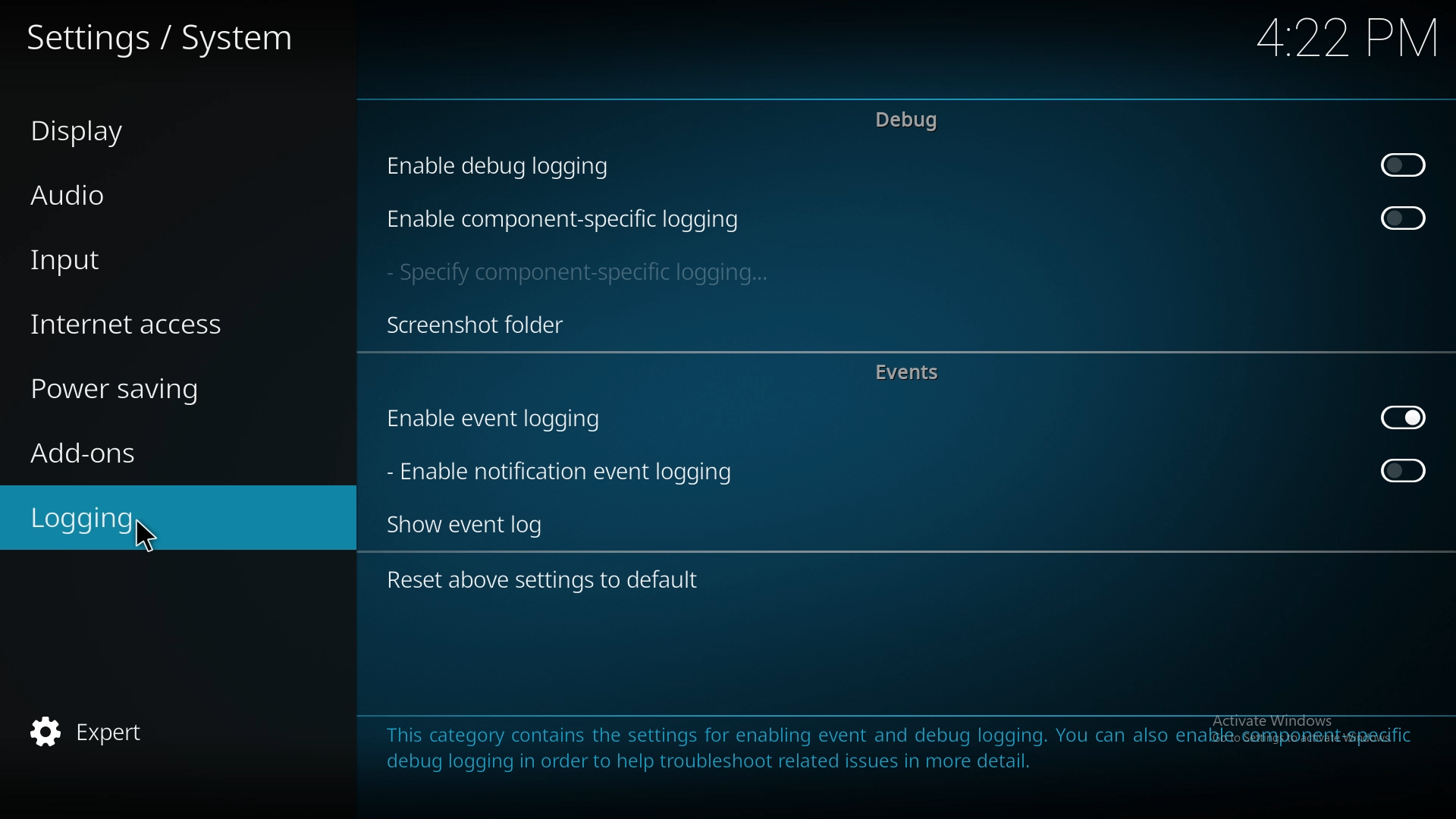 Image resolution: width=1456 pixels, height=819 pixels. Describe the element at coordinates (151, 733) in the screenshot. I see `expert` at that location.